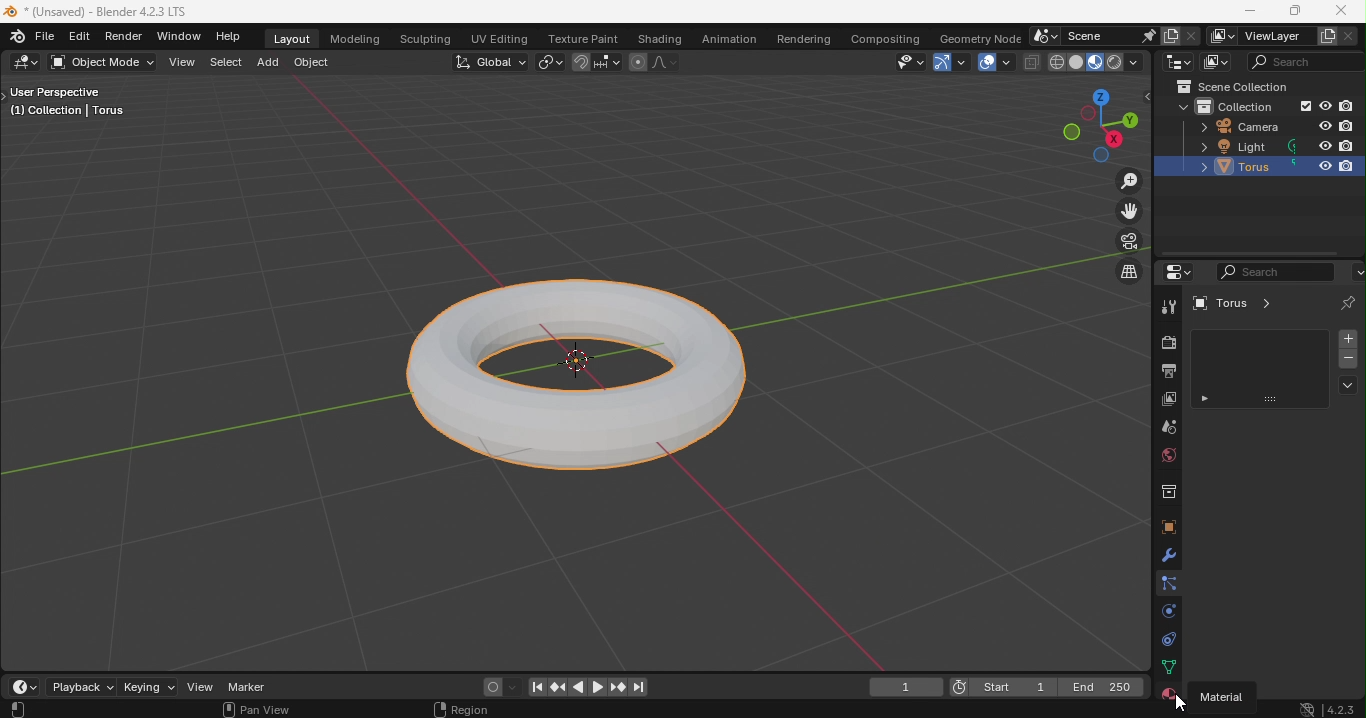  Describe the element at coordinates (1253, 254) in the screenshot. I see `Scroll bar` at that location.